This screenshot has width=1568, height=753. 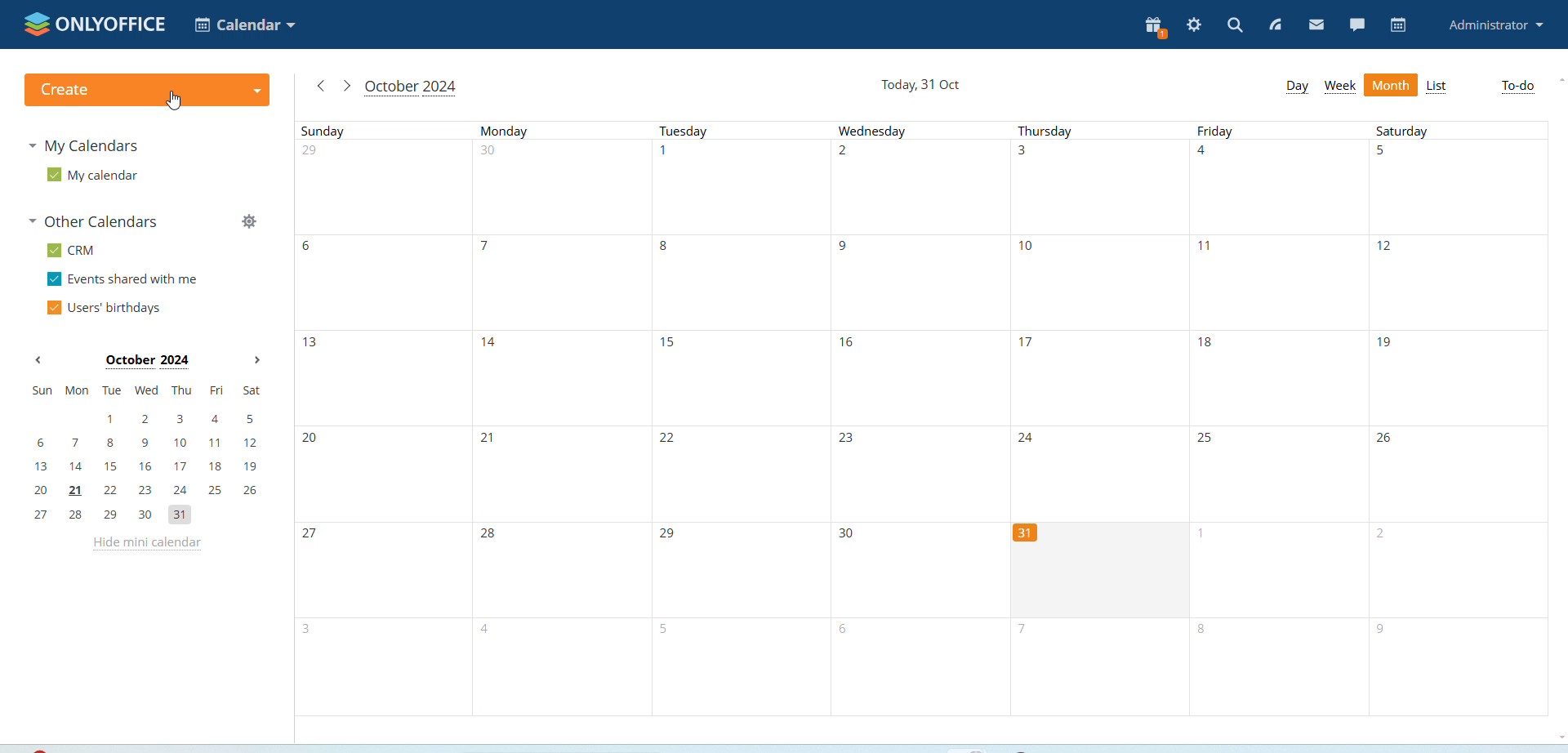 I want to click on previous month, so click(x=38, y=360).